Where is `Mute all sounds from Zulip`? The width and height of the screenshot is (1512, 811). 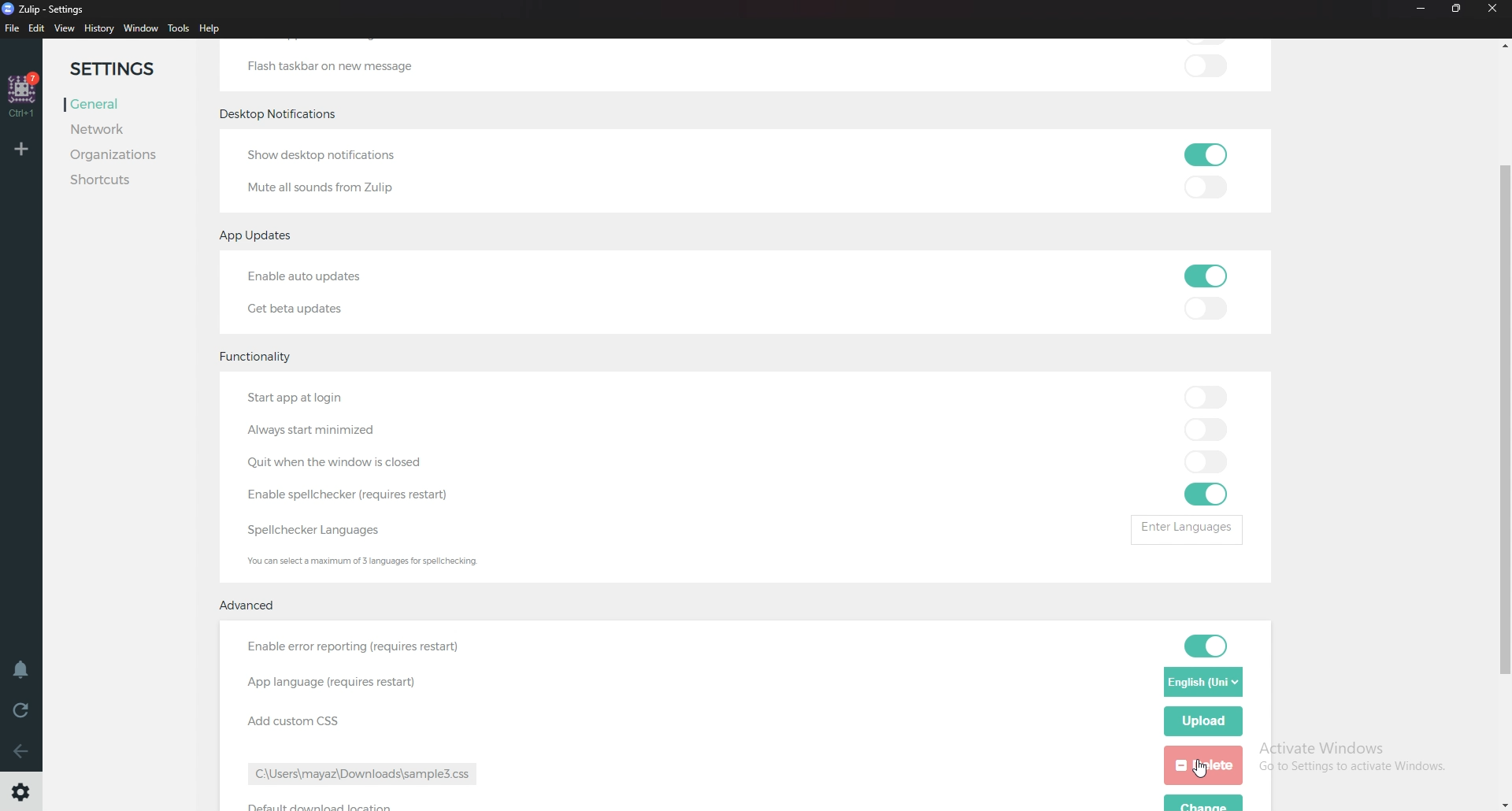 Mute all sounds from Zulip is located at coordinates (320, 187).